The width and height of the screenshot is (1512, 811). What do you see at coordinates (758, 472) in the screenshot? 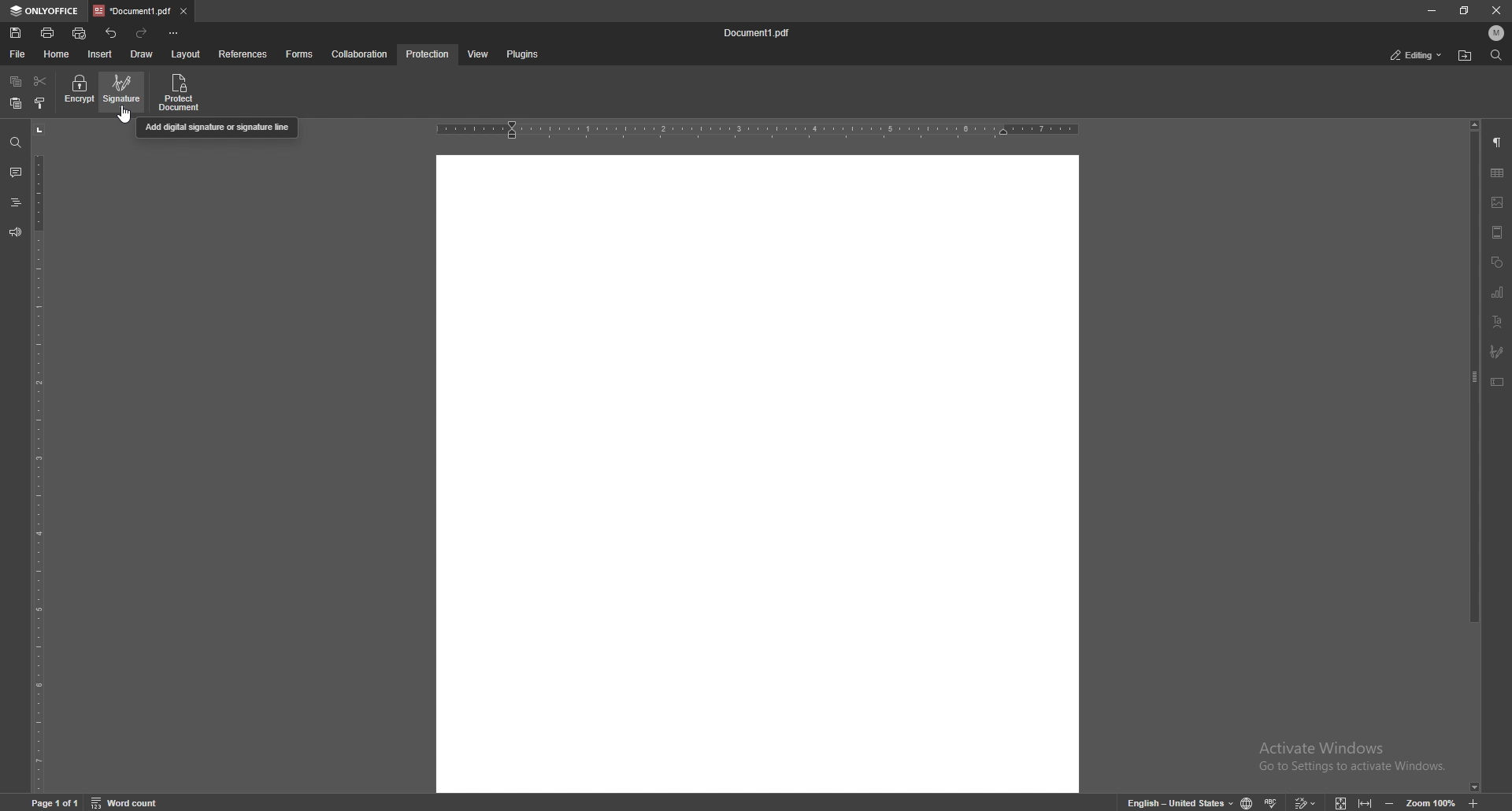
I see `document` at bounding box center [758, 472].